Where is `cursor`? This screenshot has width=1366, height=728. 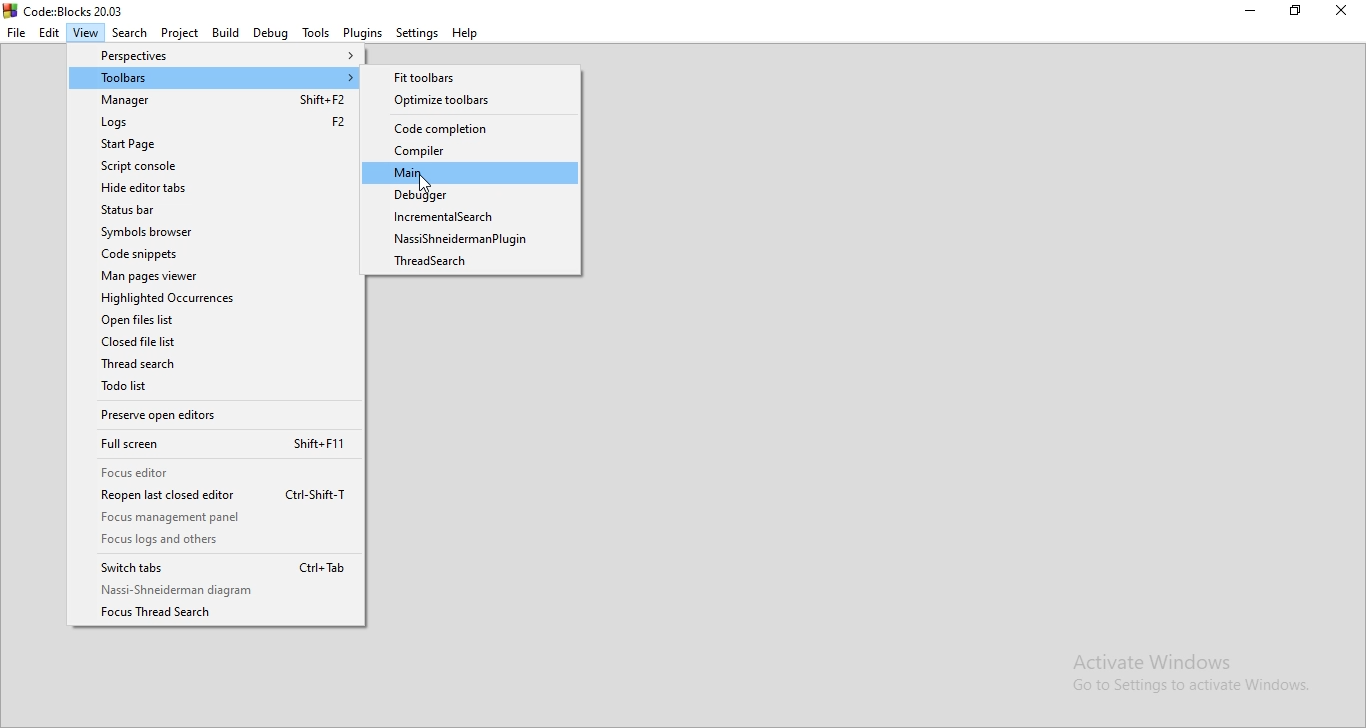 cursor is located at coordinates (425, 186).